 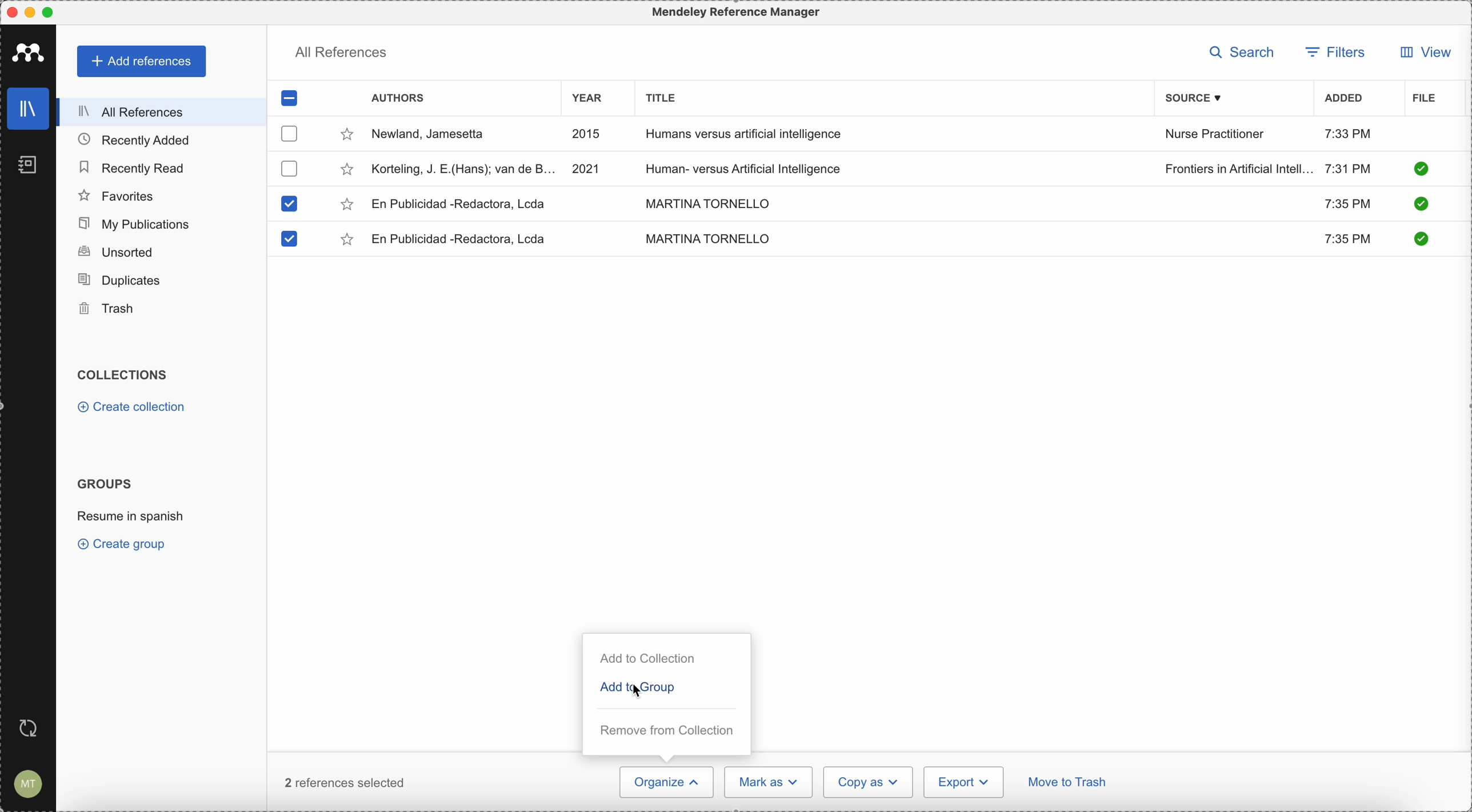 I want to click on checkbox, so click(x=291, y=133).